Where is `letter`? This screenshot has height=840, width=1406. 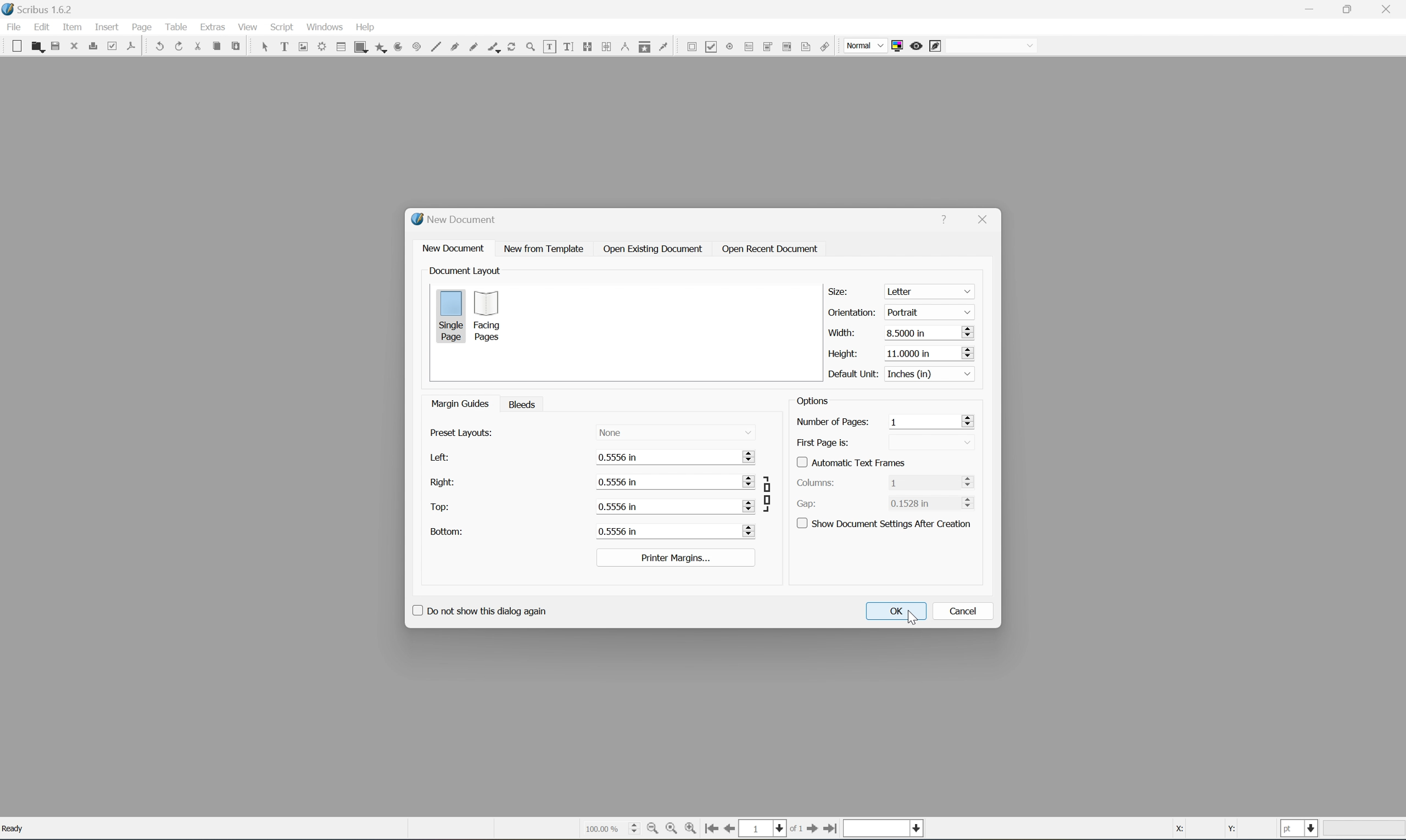
letter is located at coordinates (933, 292).